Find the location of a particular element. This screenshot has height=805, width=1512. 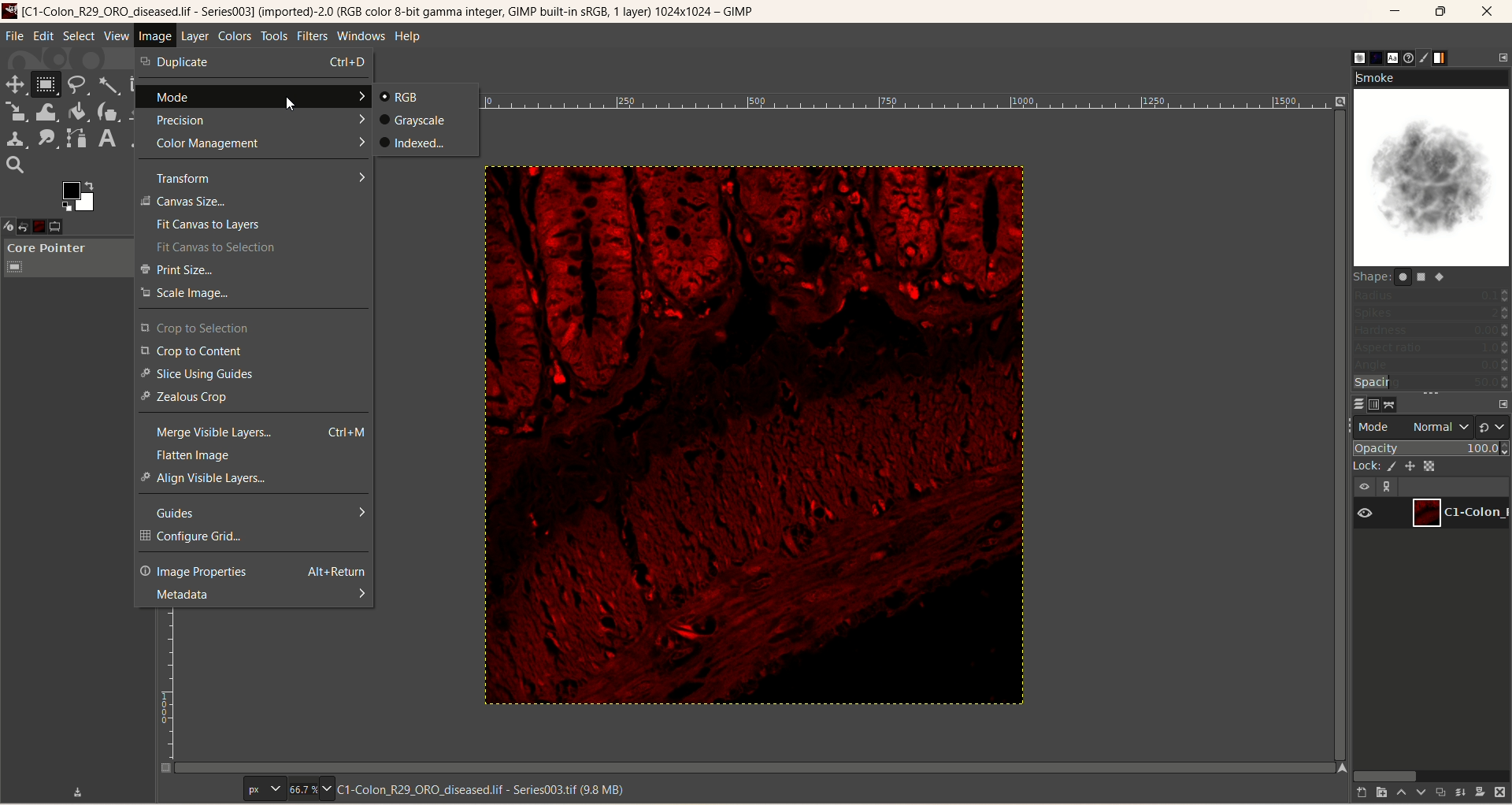

scale bar is located at coordinates (915, 108).